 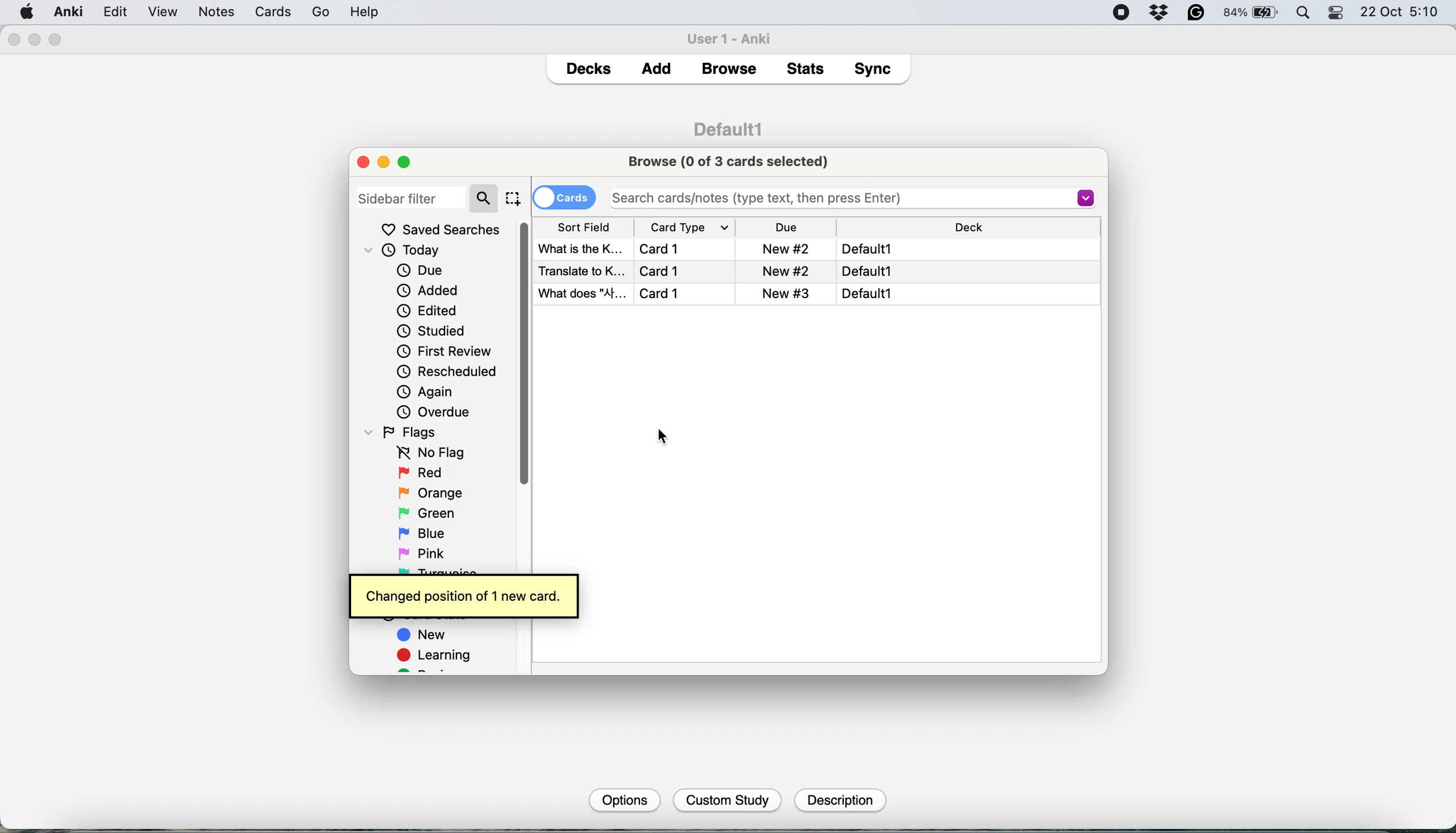 What do you see at coordinates (1197, 13) in the screenshot?
I see `grammarly` at bounding box center [1197, 13].